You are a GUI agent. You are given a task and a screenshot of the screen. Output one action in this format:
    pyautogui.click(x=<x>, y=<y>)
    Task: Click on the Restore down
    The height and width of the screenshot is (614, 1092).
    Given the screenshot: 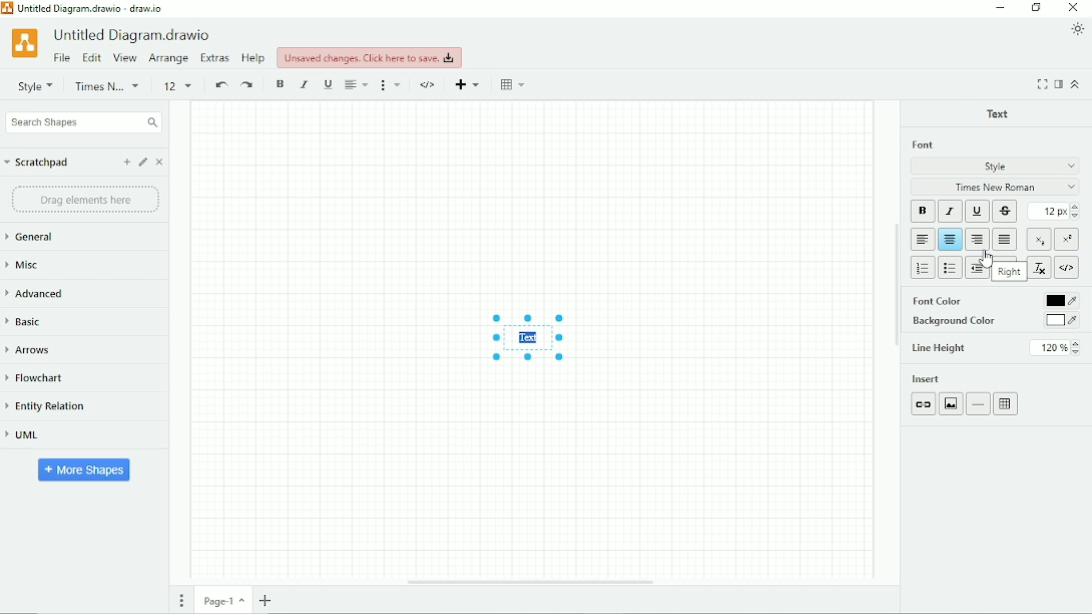 What is the action you would take?
    pyautogui.click(x=1036, y=7)
    